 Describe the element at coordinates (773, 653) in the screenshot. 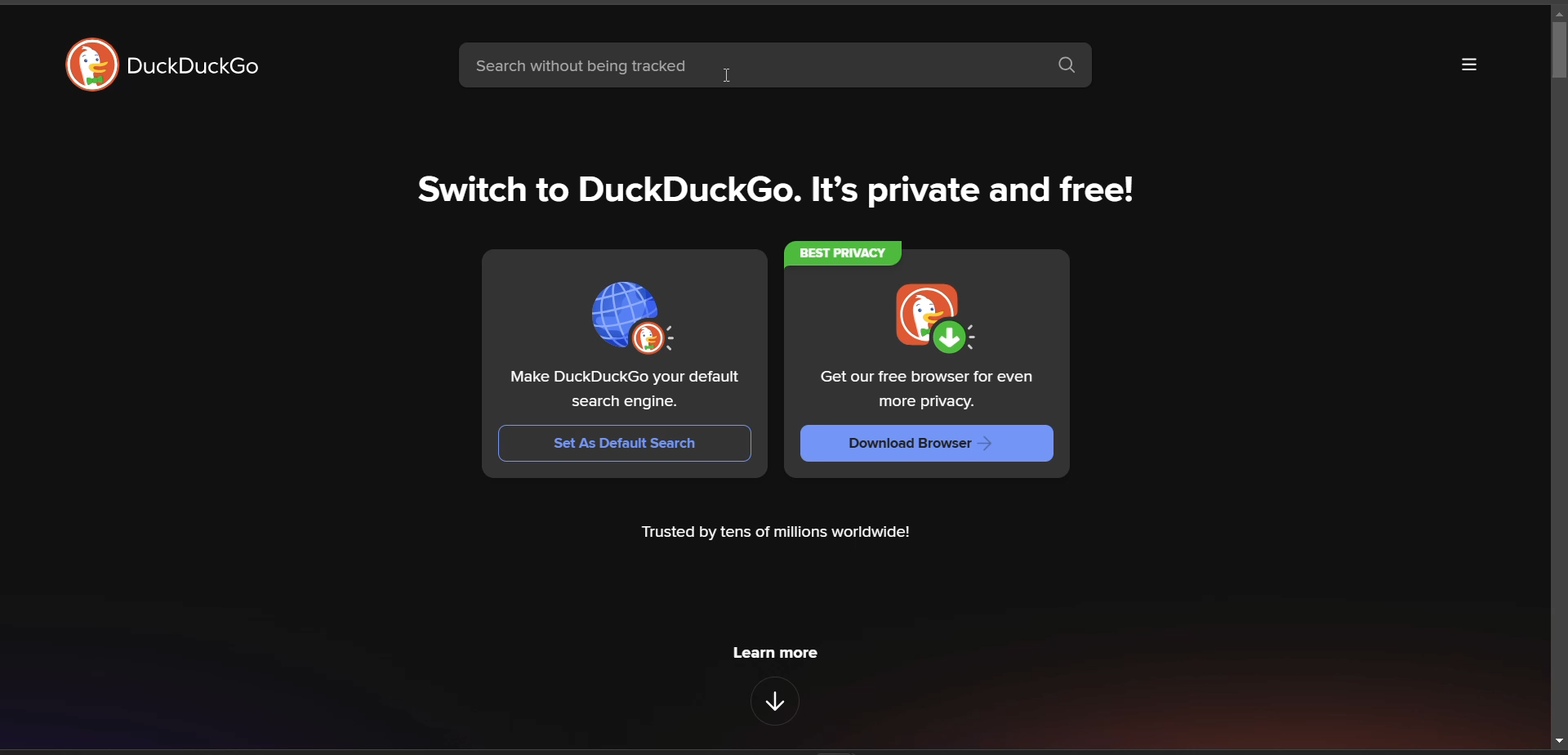

I see `Learn more` at that location.